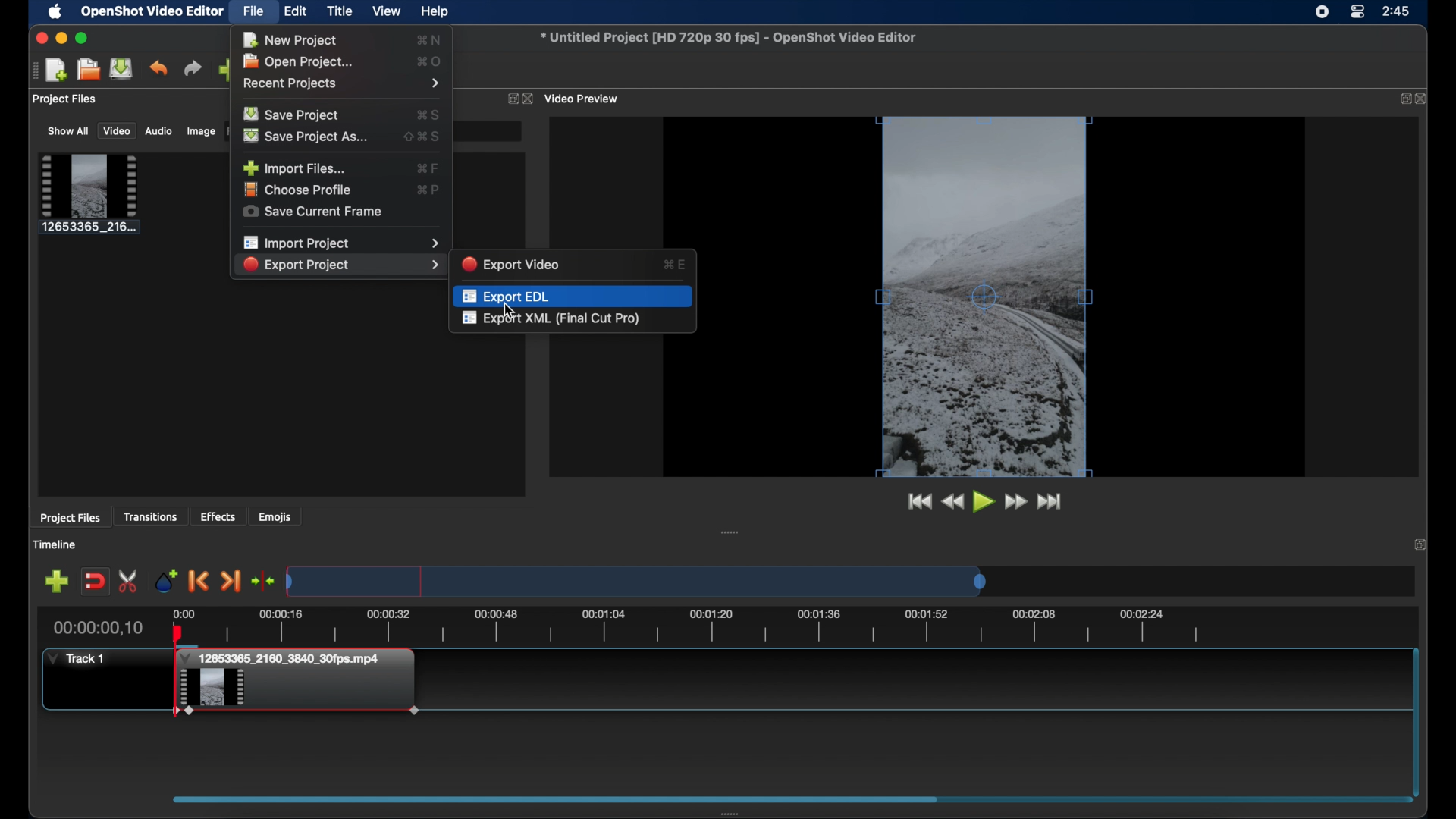 This screenshot has width=1456, height=819. What do you see at coordinates (218, 516) in the screenshot?
I see `effects` at bounding box center [218, 516].